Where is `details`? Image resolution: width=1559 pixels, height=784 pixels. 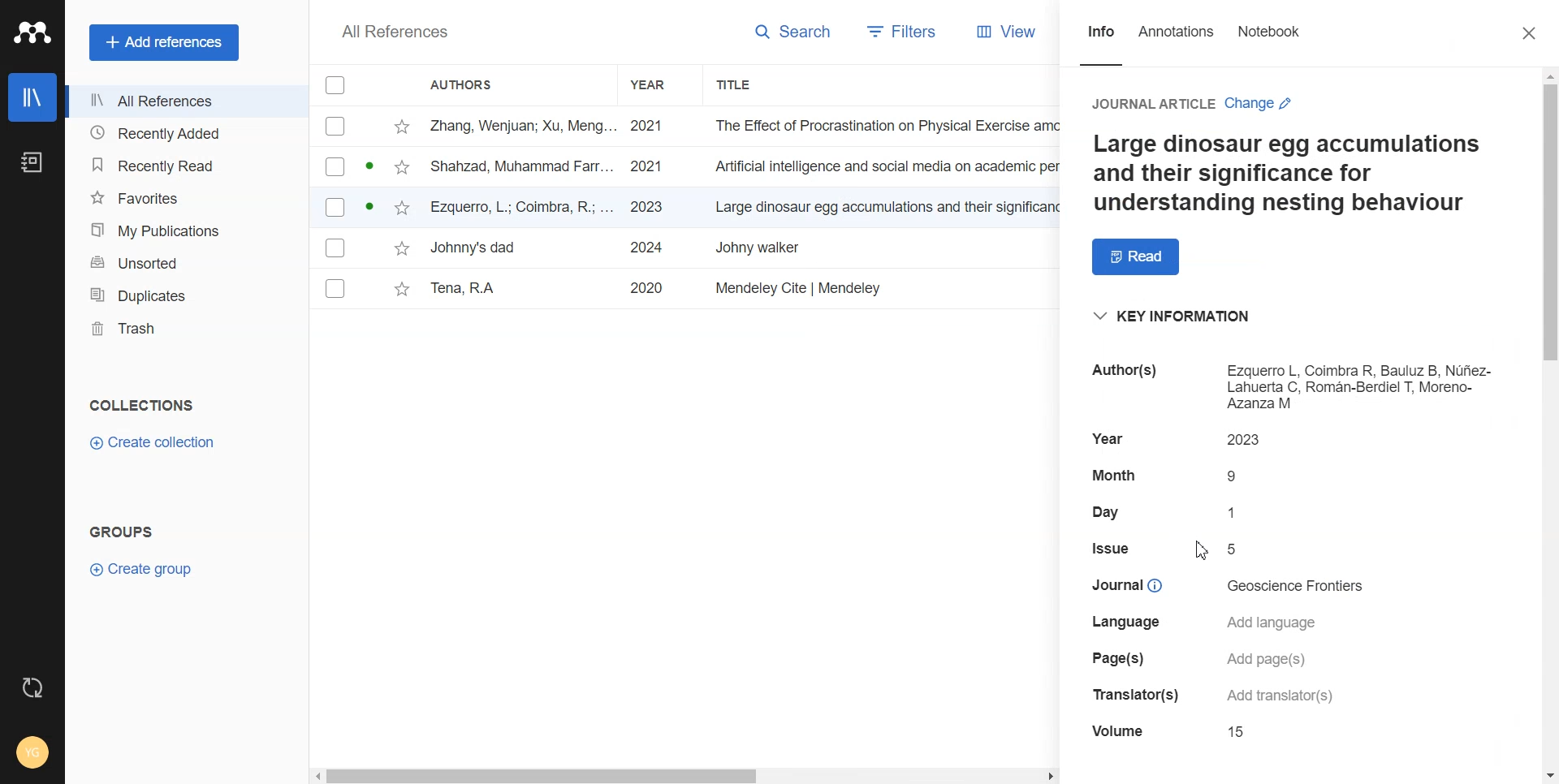
details is located at coordinates (1128, 584).